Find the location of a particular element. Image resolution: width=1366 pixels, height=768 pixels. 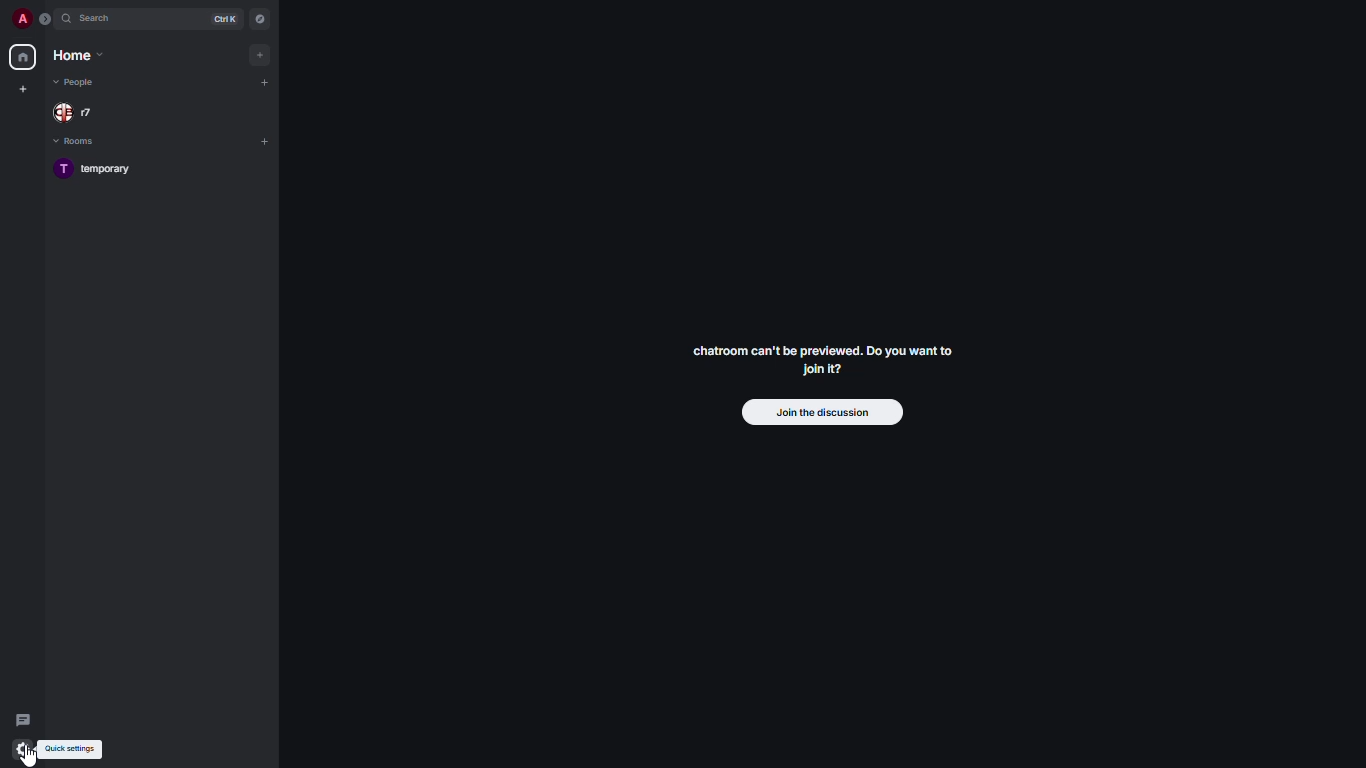

add is located at coordinates (265, 82).